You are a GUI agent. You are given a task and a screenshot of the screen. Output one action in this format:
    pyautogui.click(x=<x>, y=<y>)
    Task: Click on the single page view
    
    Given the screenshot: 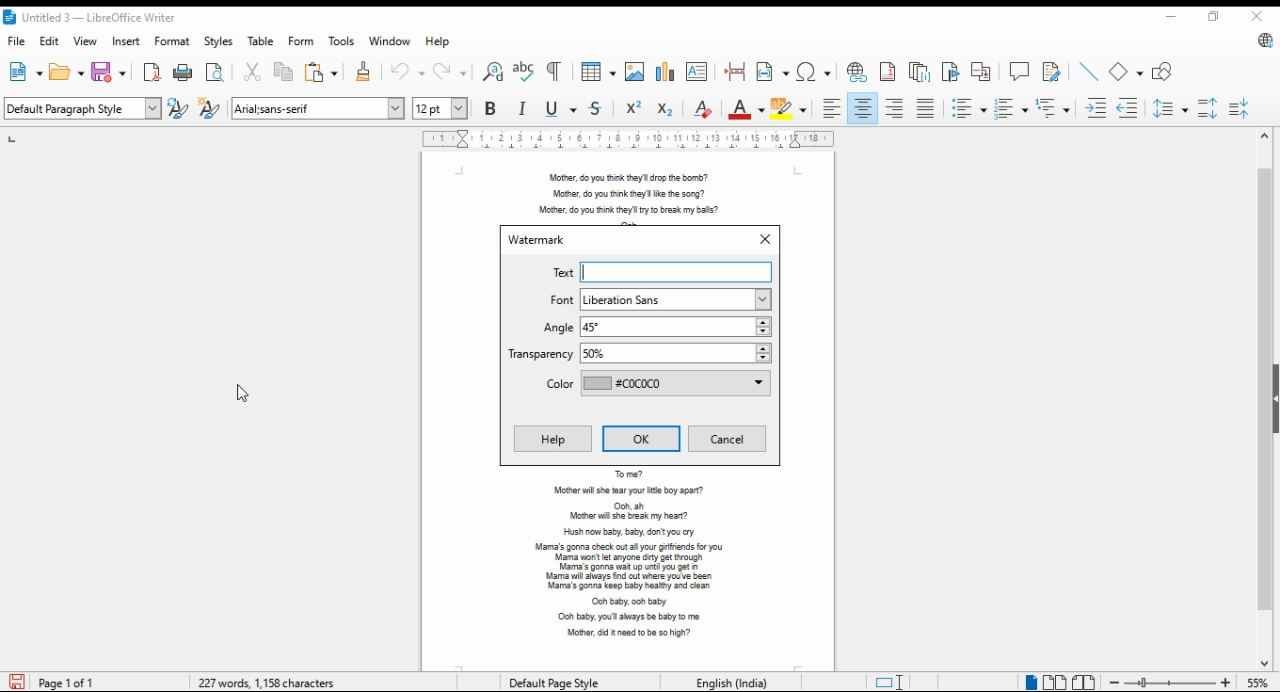 What is the action you would take?
    pyautogui.click(x=1028, y=682)
    